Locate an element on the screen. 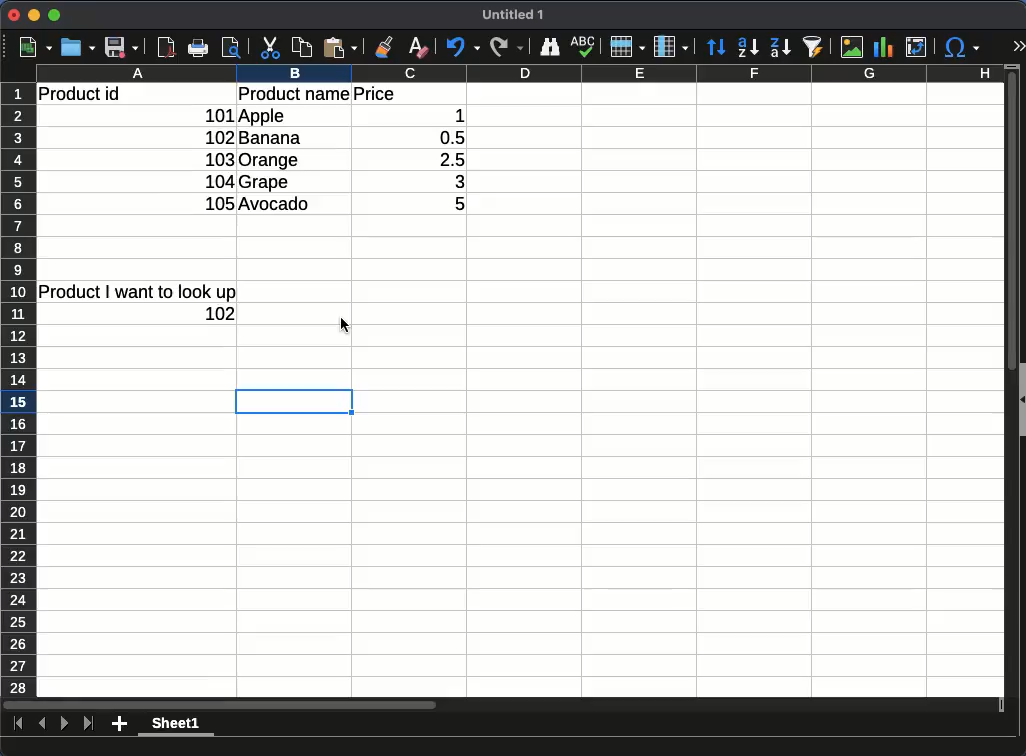 The width and height of the screenshot is (1026, 756). 1 is located at coordinates (449, 116).